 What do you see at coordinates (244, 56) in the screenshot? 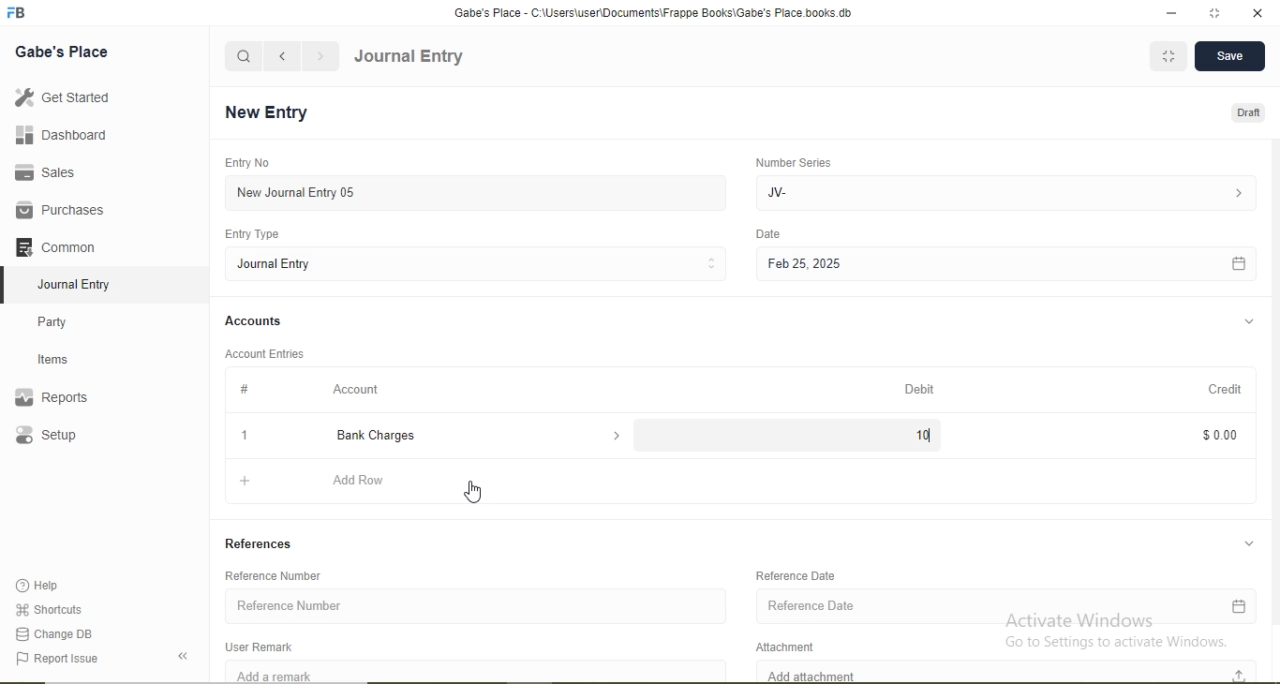
I see `search` at bounding box center [244, 56].